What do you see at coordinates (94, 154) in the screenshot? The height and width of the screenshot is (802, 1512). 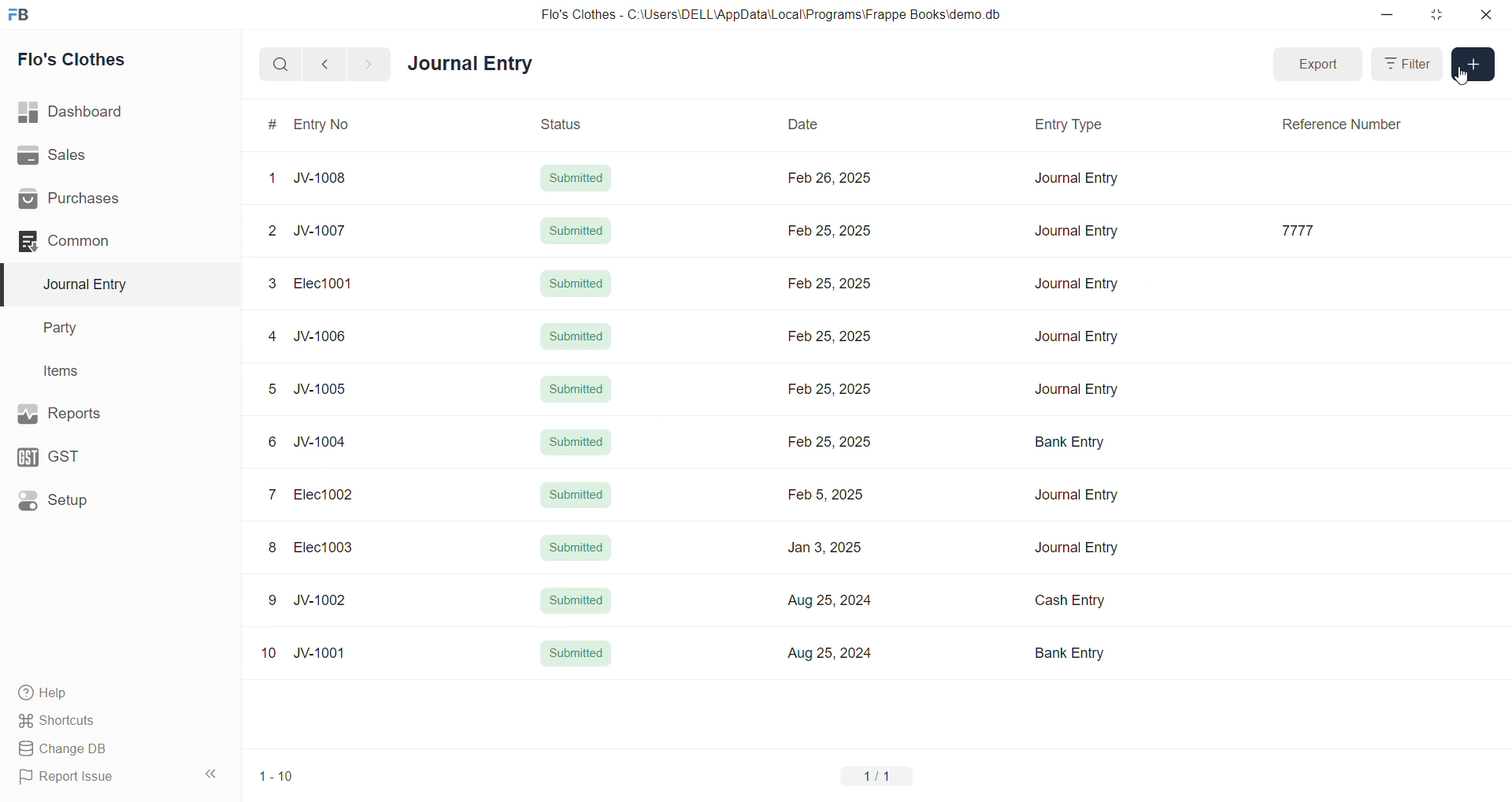 I see `Sales` at bounding box center [94, 154].